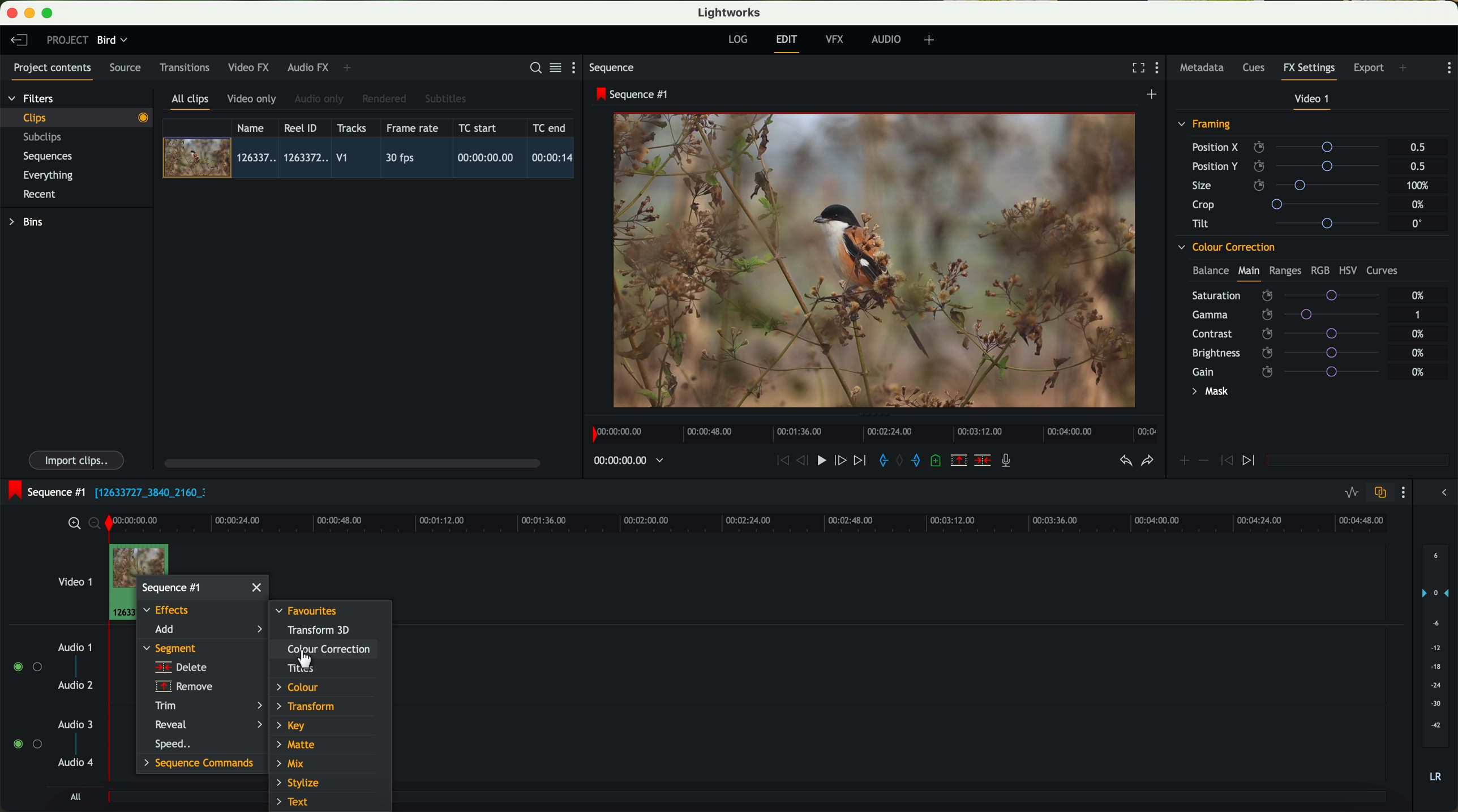  Describe the element at coordinates (623, 461) in the screenshot. I see `timeline` at that location.